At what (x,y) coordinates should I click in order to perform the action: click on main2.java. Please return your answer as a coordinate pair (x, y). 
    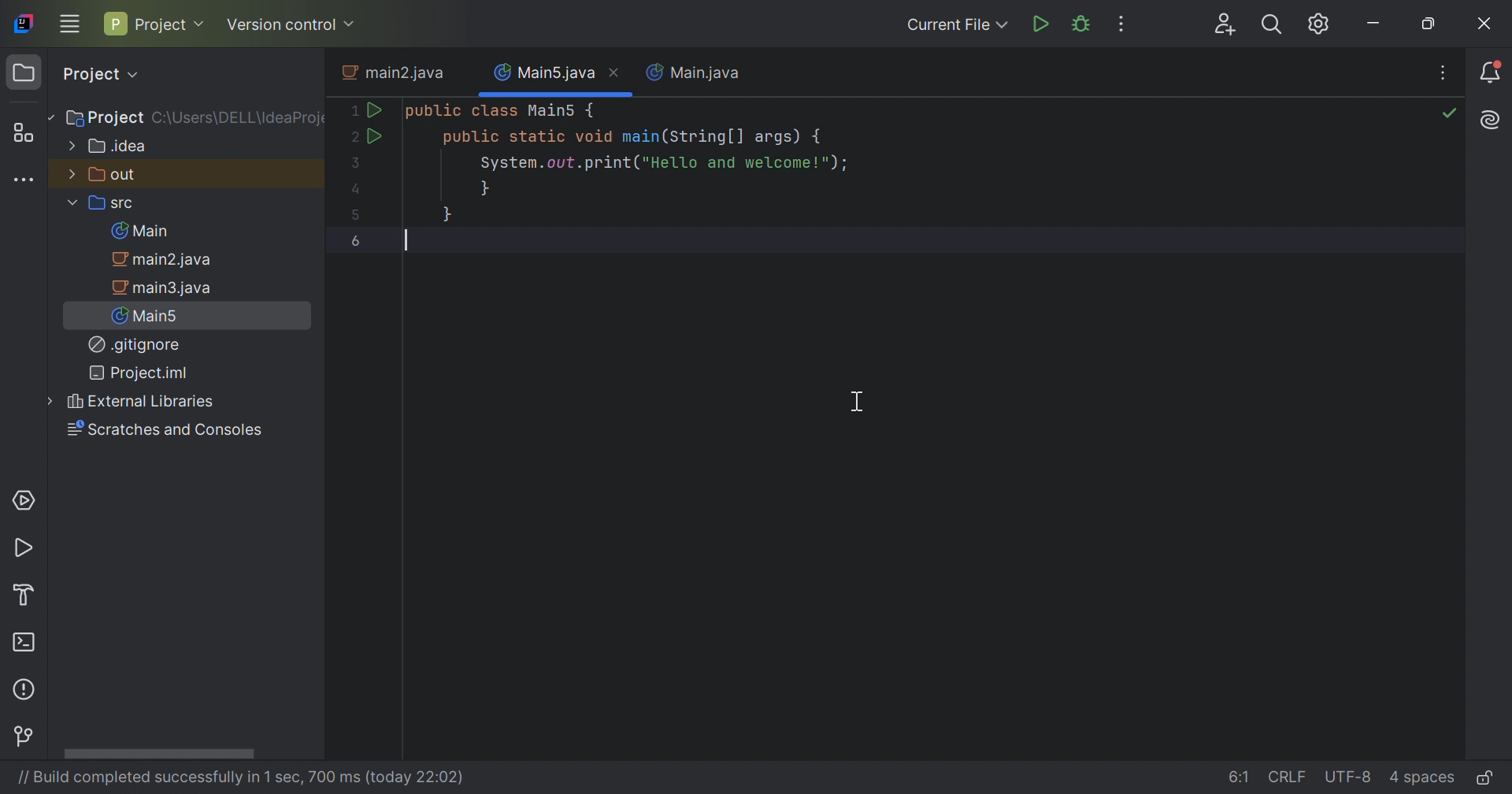
    Looking at the image, I should click on (397, 73).